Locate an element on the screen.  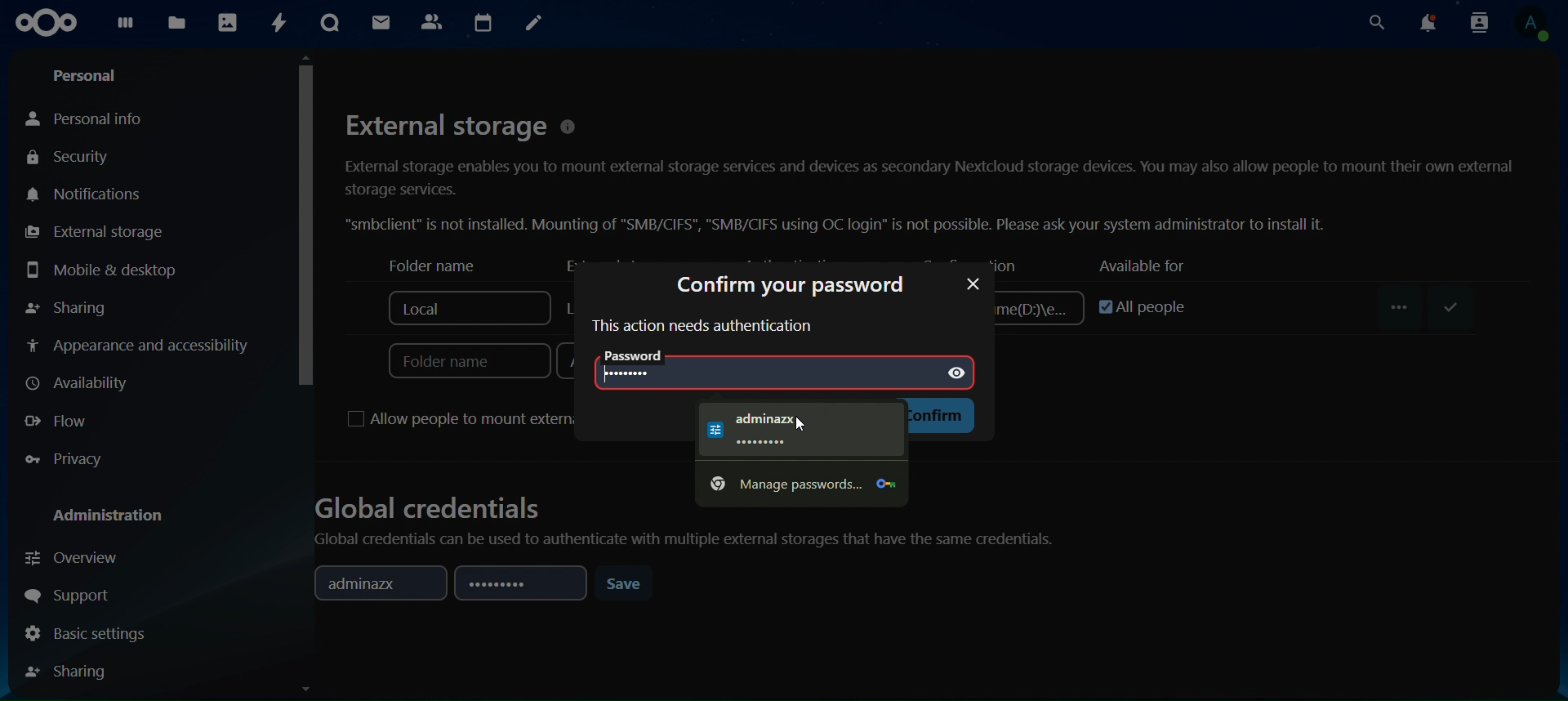
notes is located at coordinates (532, 23).